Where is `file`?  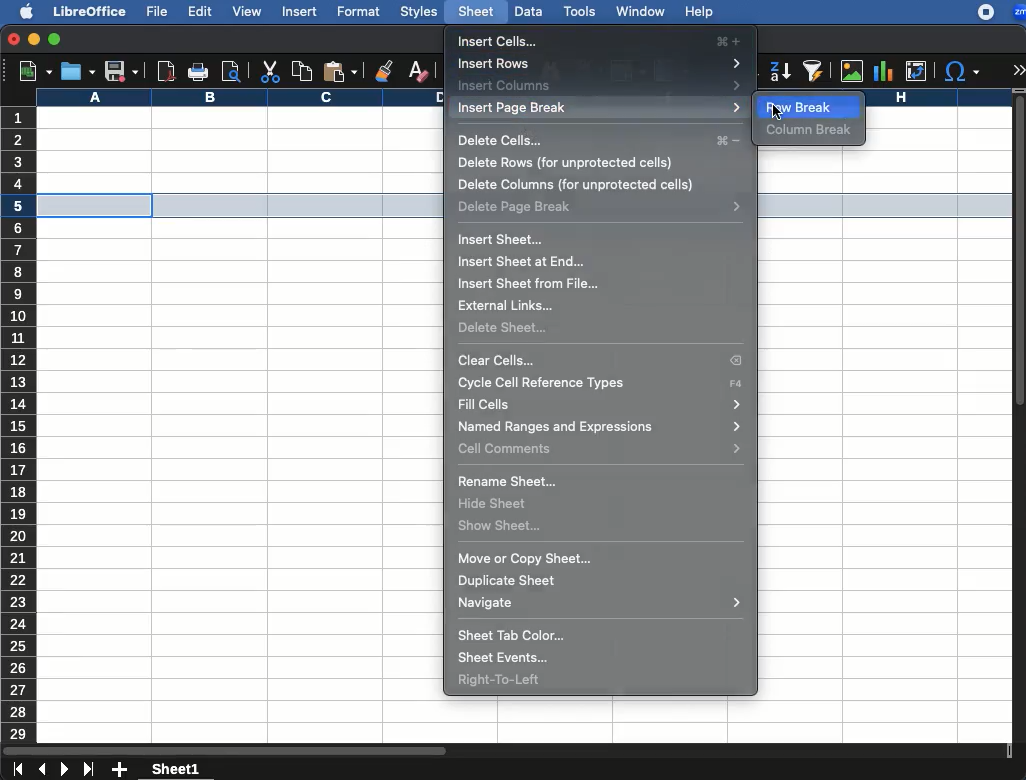
file is located at coordinates (156, 12).